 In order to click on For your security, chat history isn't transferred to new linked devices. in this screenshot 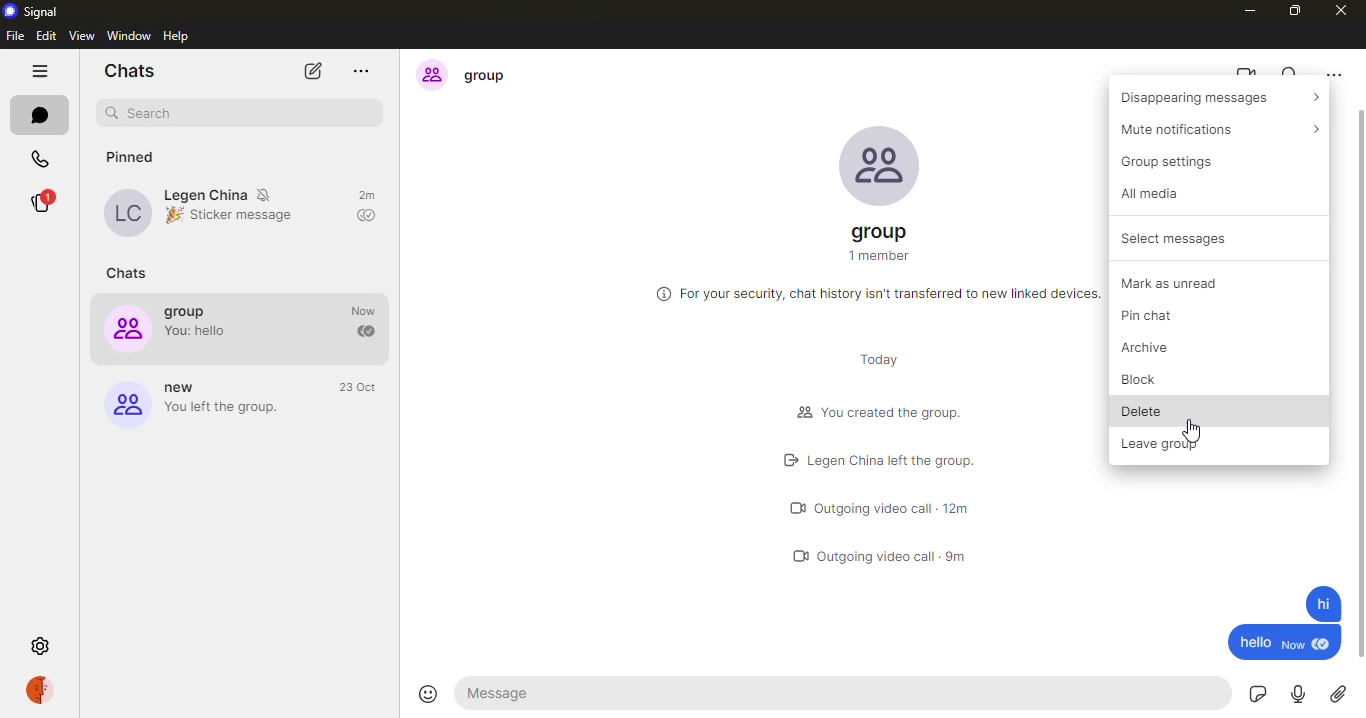, I will do `click(891, 293)`.